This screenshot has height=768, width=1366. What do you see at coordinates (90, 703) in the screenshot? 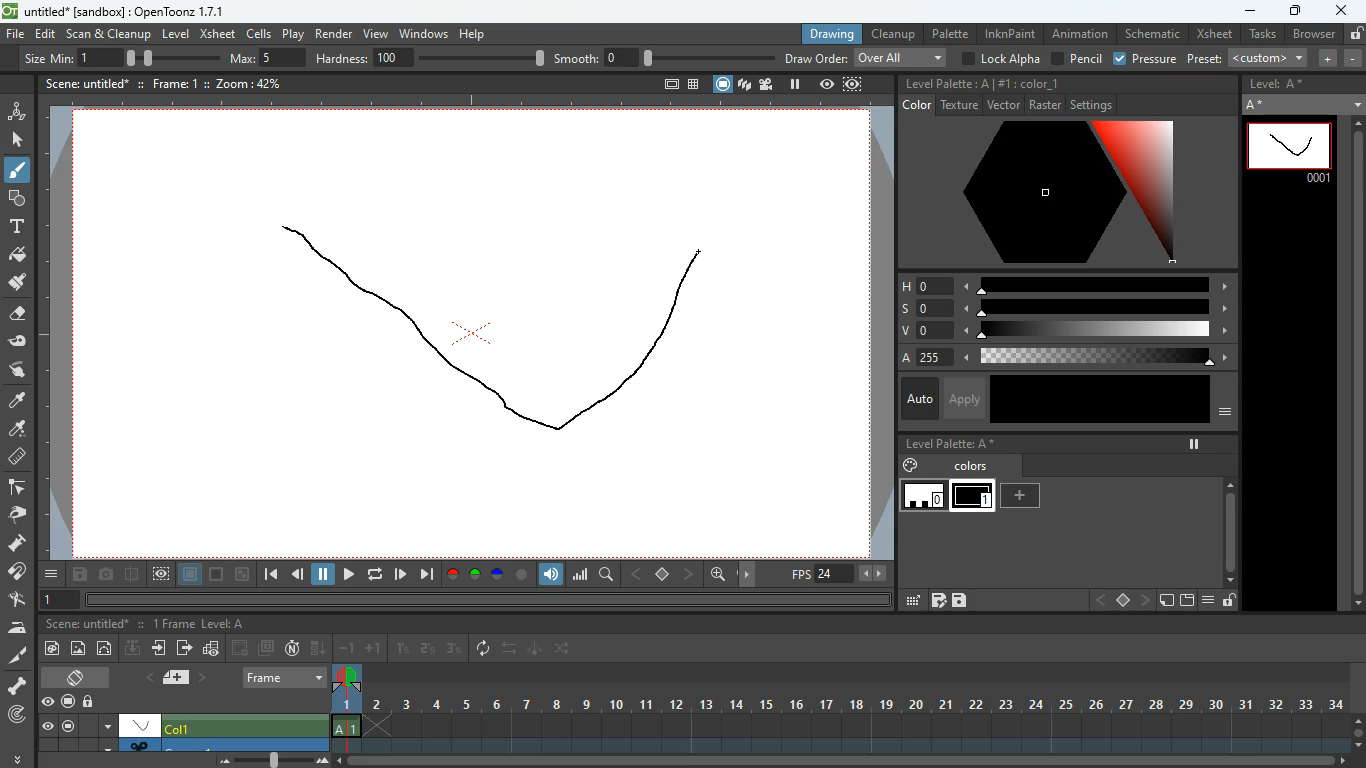
I see `unlock` at bounding box center [90, 703].